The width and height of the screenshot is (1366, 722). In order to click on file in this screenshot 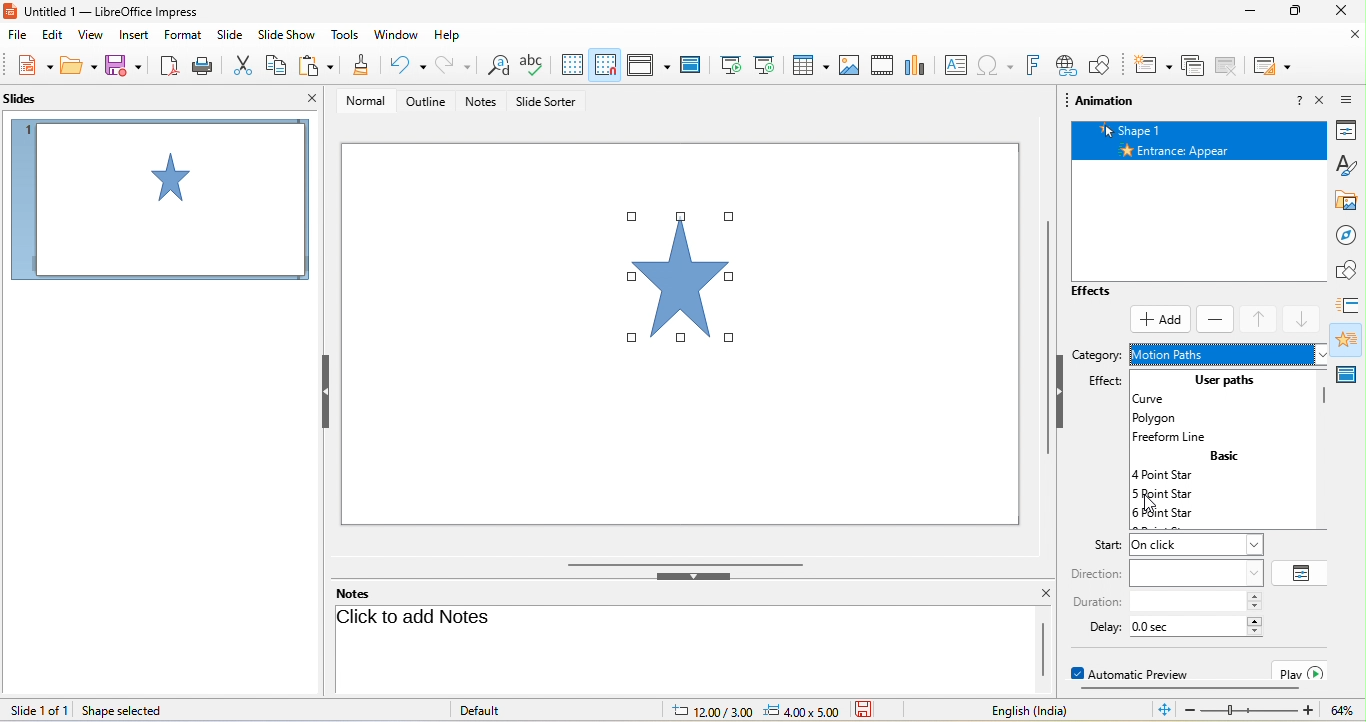, I will do `click(18, 36)`.